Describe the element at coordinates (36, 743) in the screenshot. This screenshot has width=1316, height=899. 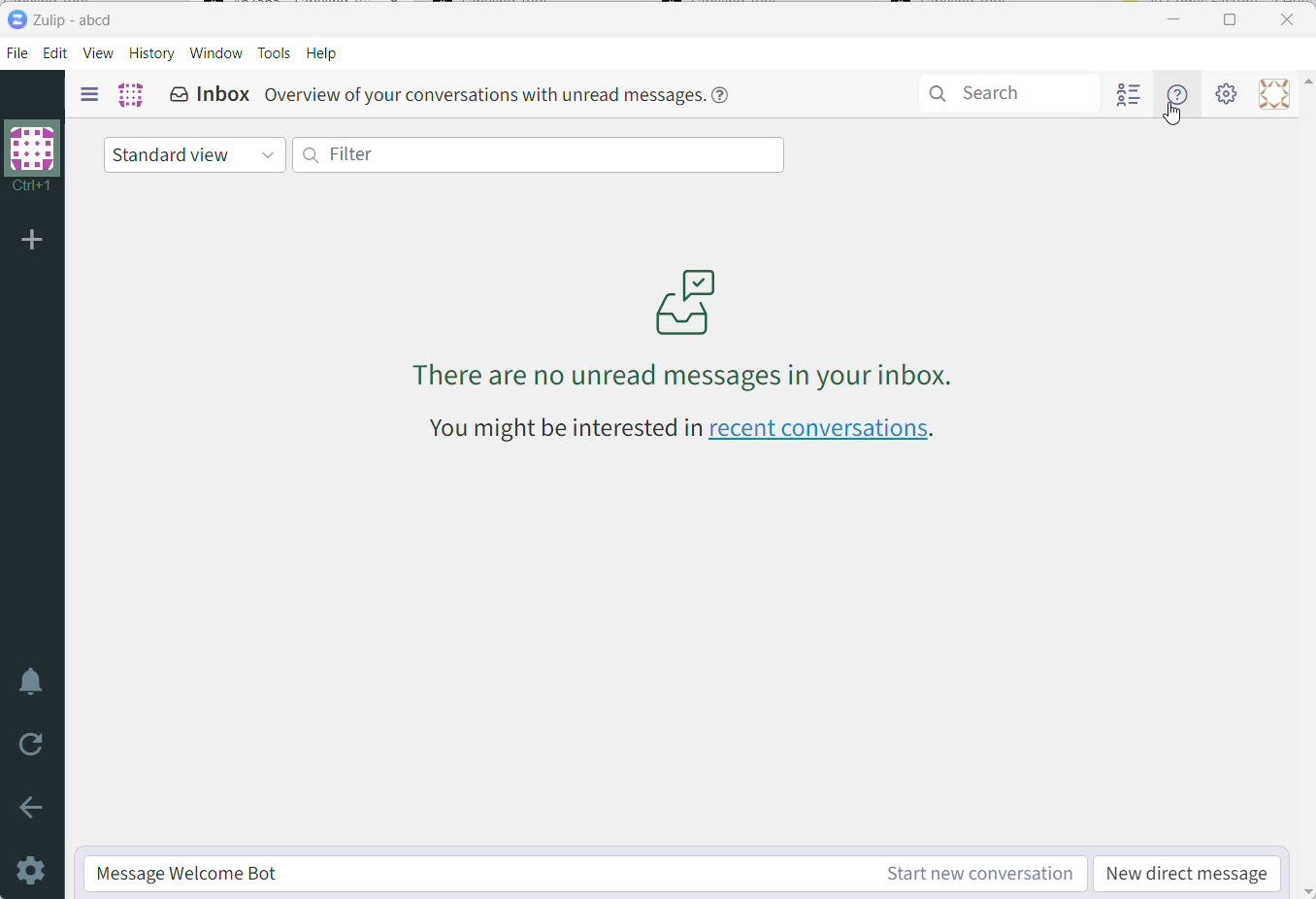
I see `Reload` at that location.